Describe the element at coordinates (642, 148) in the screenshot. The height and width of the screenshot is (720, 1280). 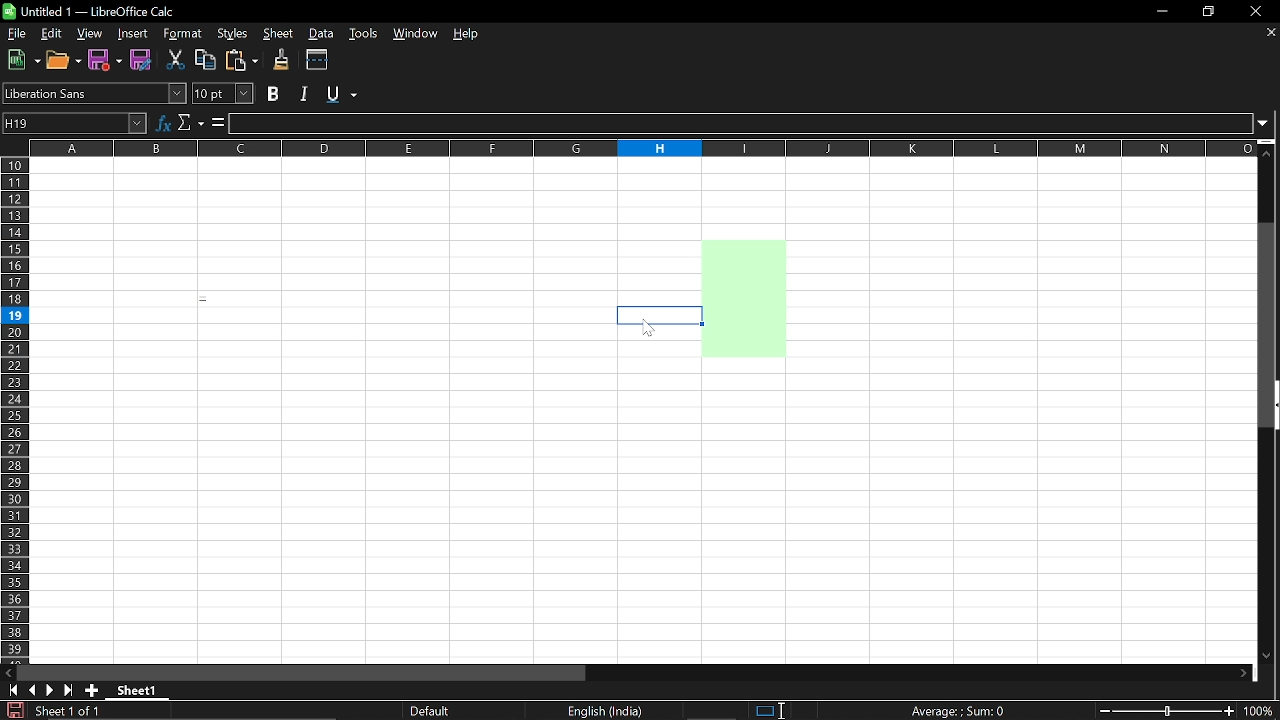
I see `Columns` at that location.